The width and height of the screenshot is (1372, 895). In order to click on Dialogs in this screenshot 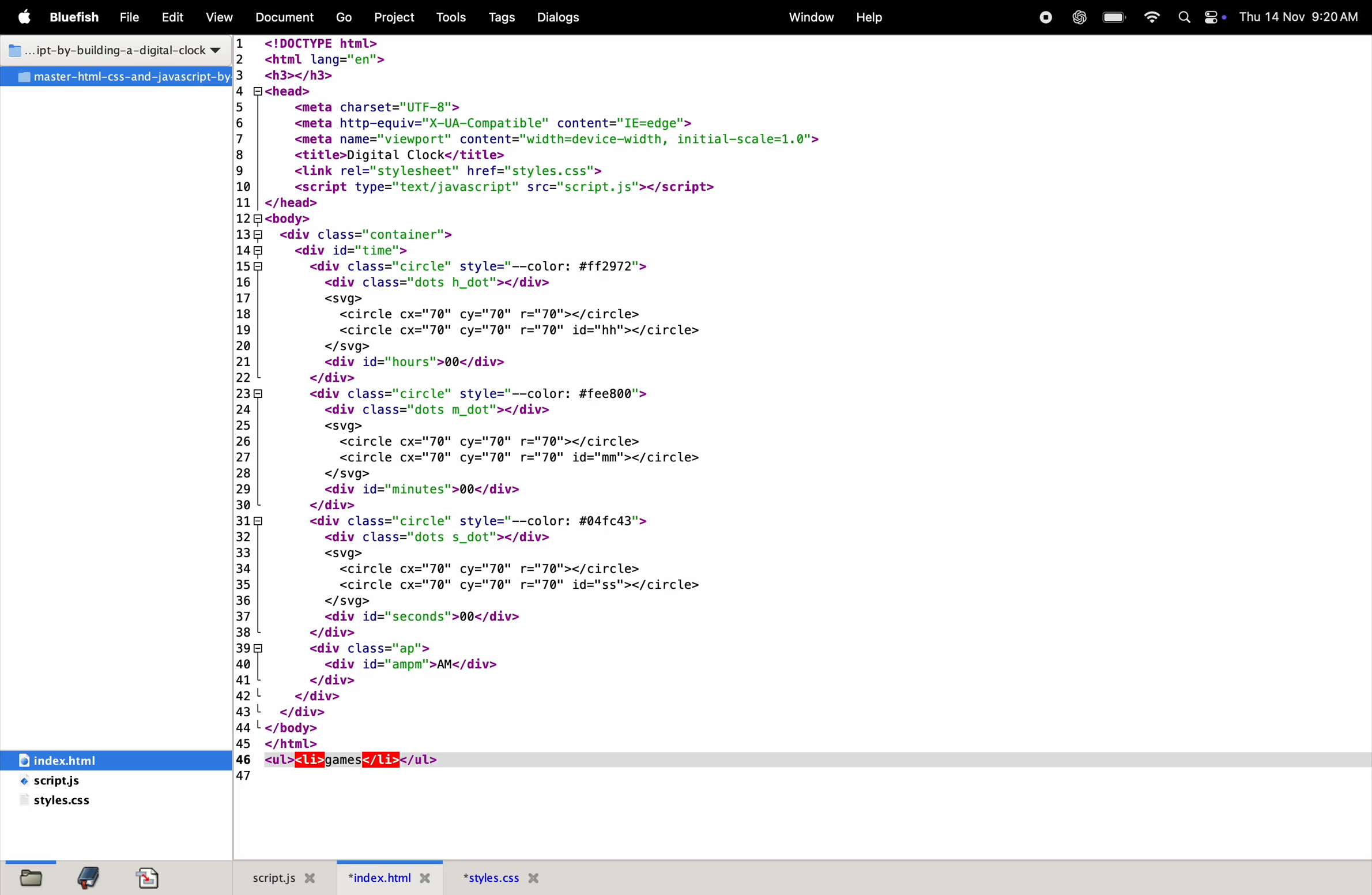, I will do `click(563, 17)`.